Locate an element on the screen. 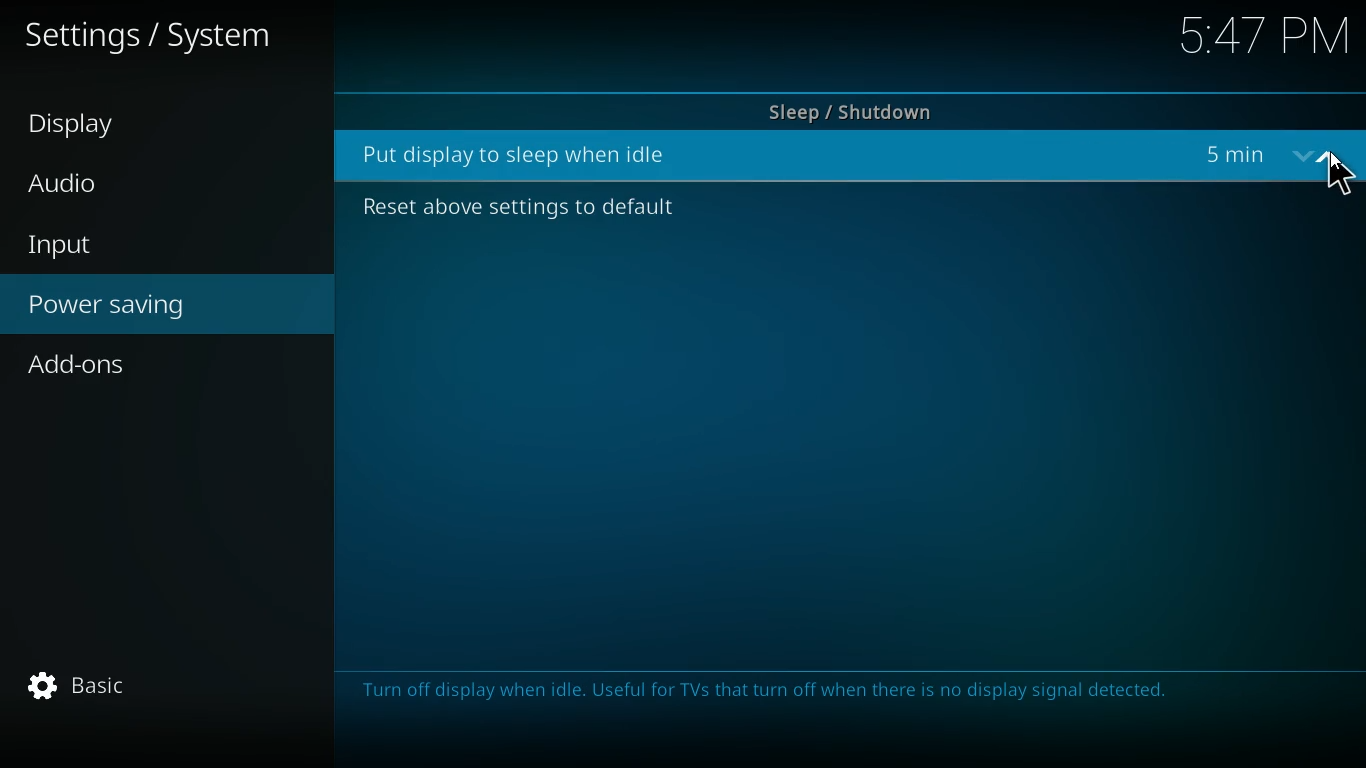  add-ons is located at coordinates (153, 368).